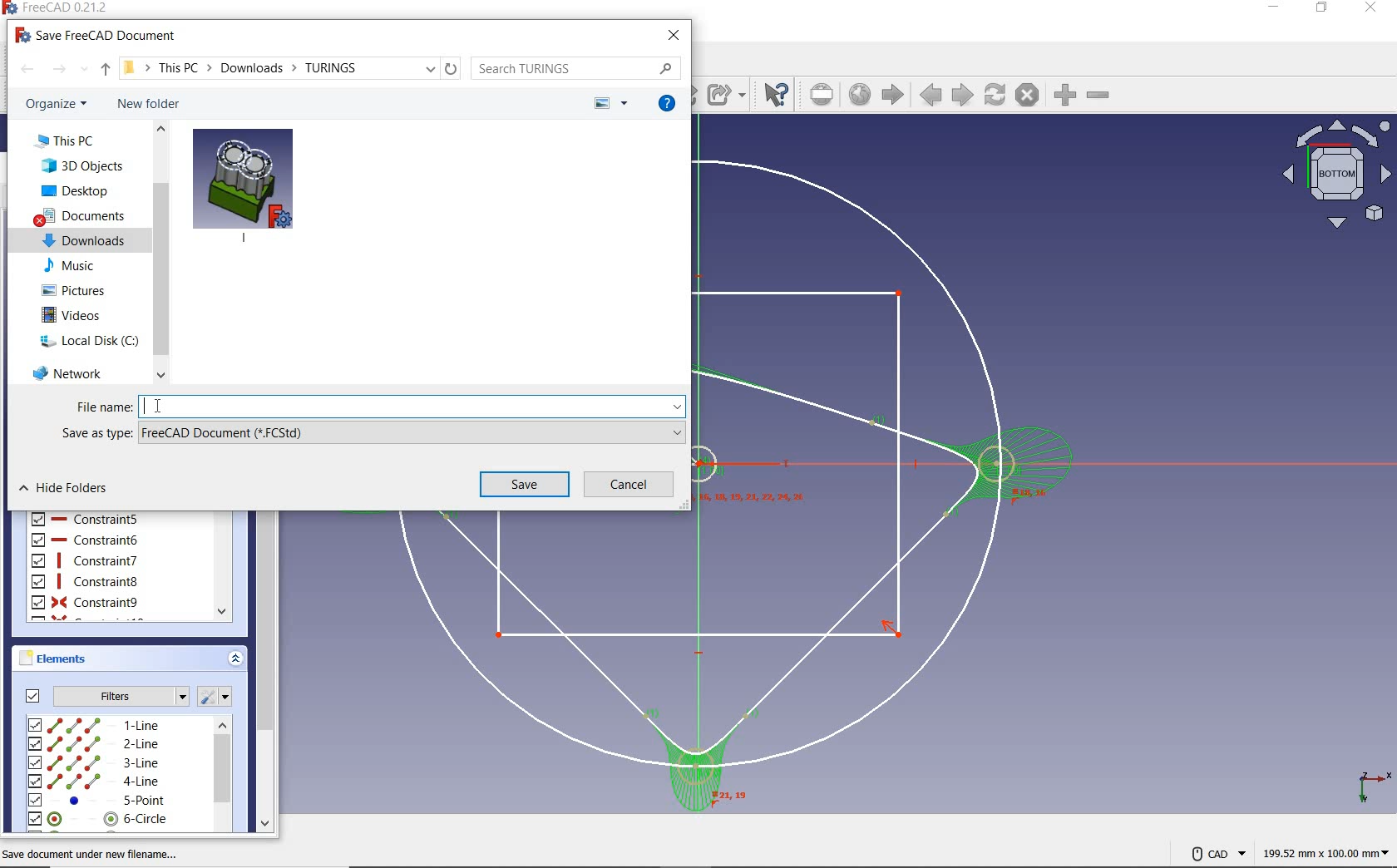 This screenshot has width=1397, height=868. Describe the element at coordinates (82, 216) in the screenshot. I see `documents` at that location.